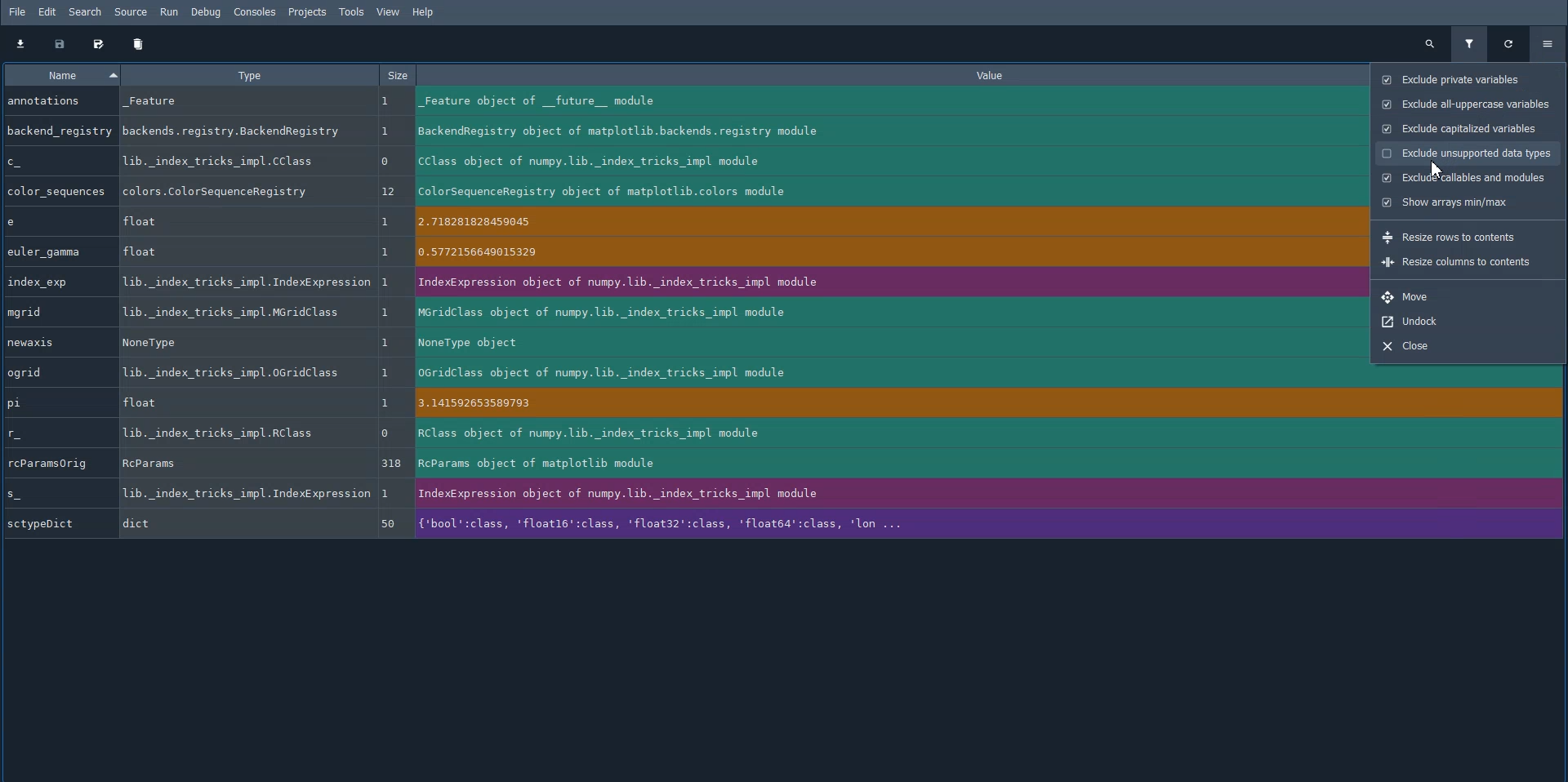  Describe the element at coordinates (1466, 127) in the screenshot. I see `Exclude Capitalized variable` at that location.